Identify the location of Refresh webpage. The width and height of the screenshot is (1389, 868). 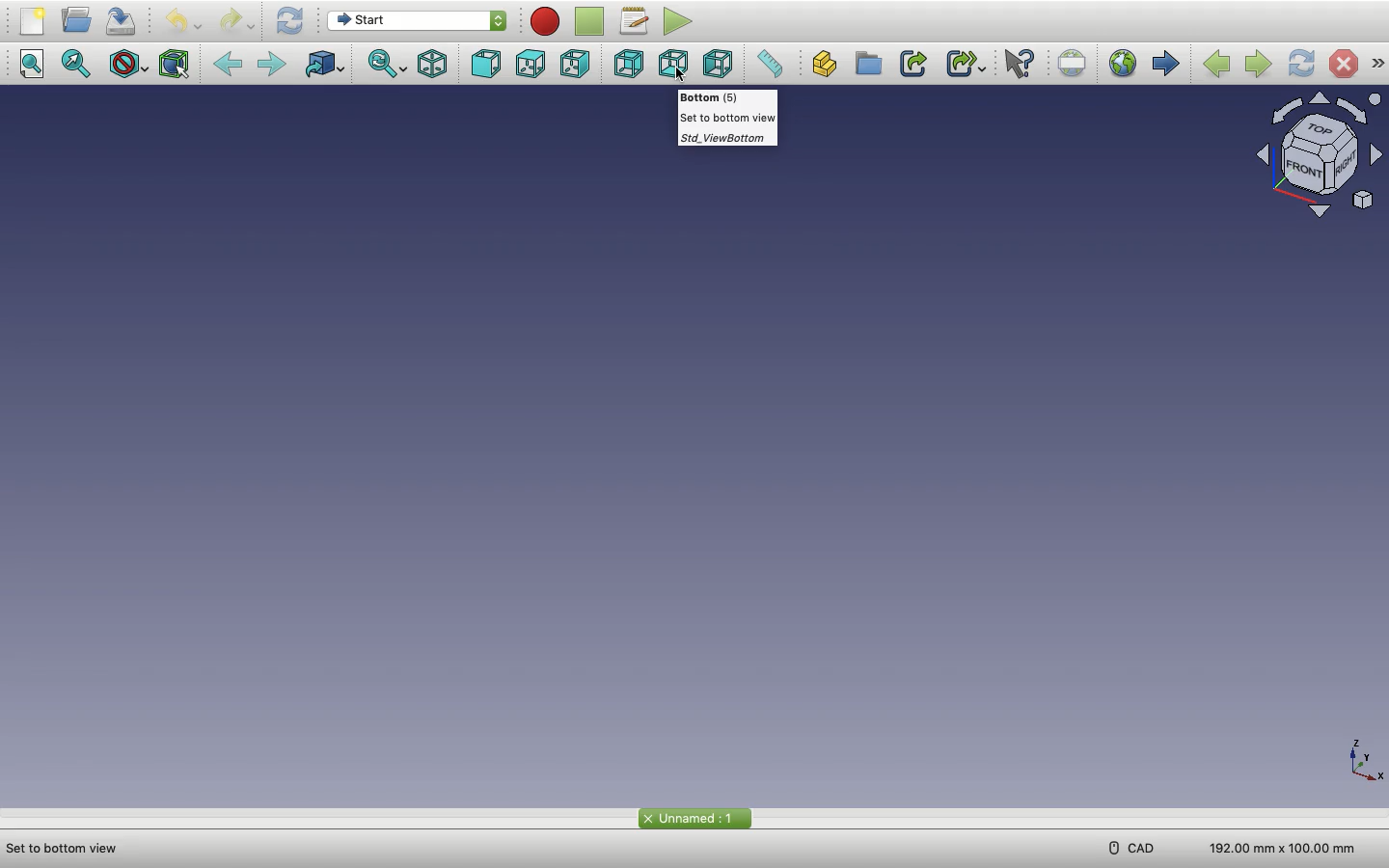
(1302, 64).